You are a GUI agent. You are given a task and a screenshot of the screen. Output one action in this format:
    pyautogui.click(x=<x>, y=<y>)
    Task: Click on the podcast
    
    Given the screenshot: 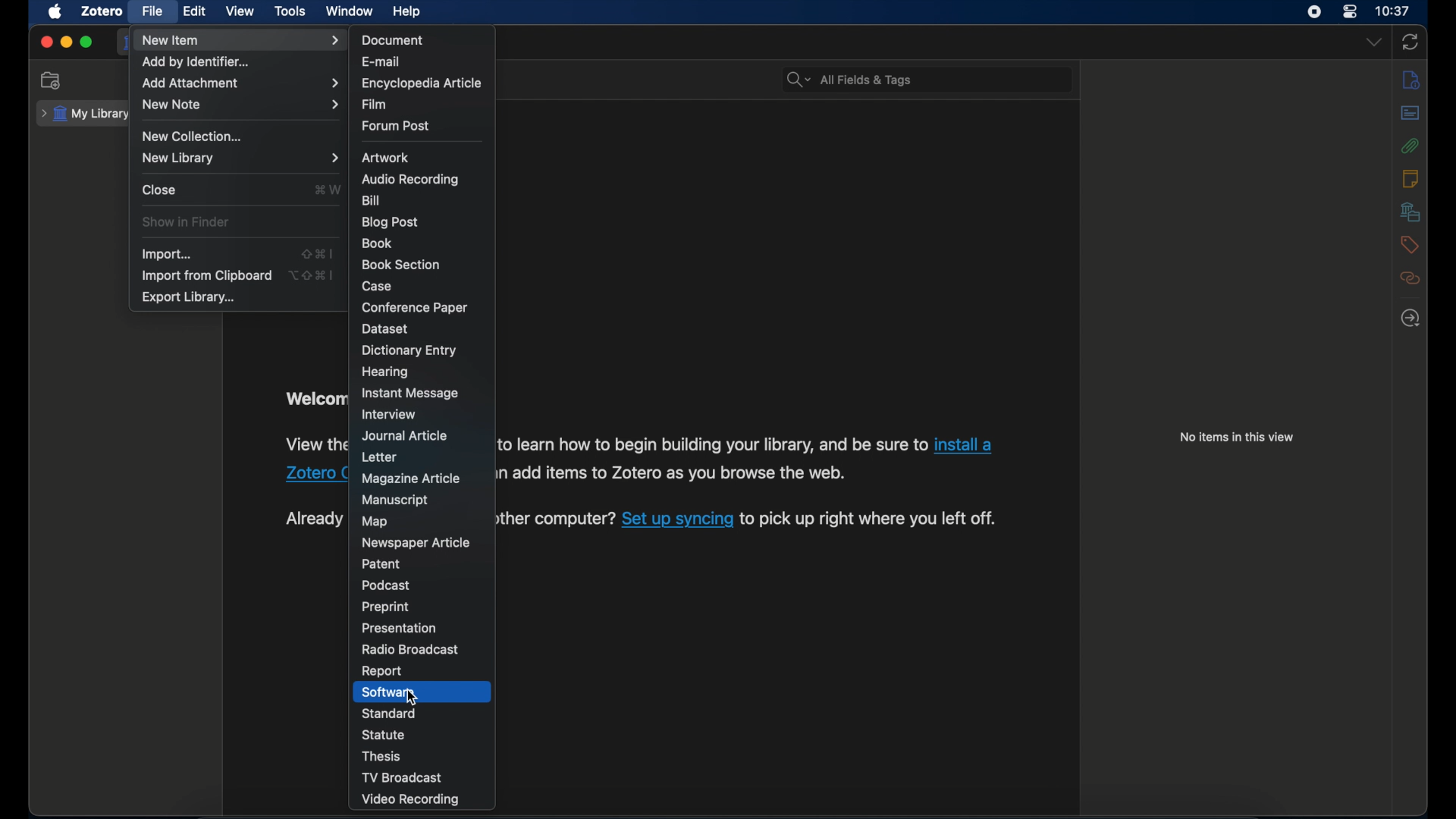 What is the action you would take?
    pyautogui.click(x=385, y=583)
    